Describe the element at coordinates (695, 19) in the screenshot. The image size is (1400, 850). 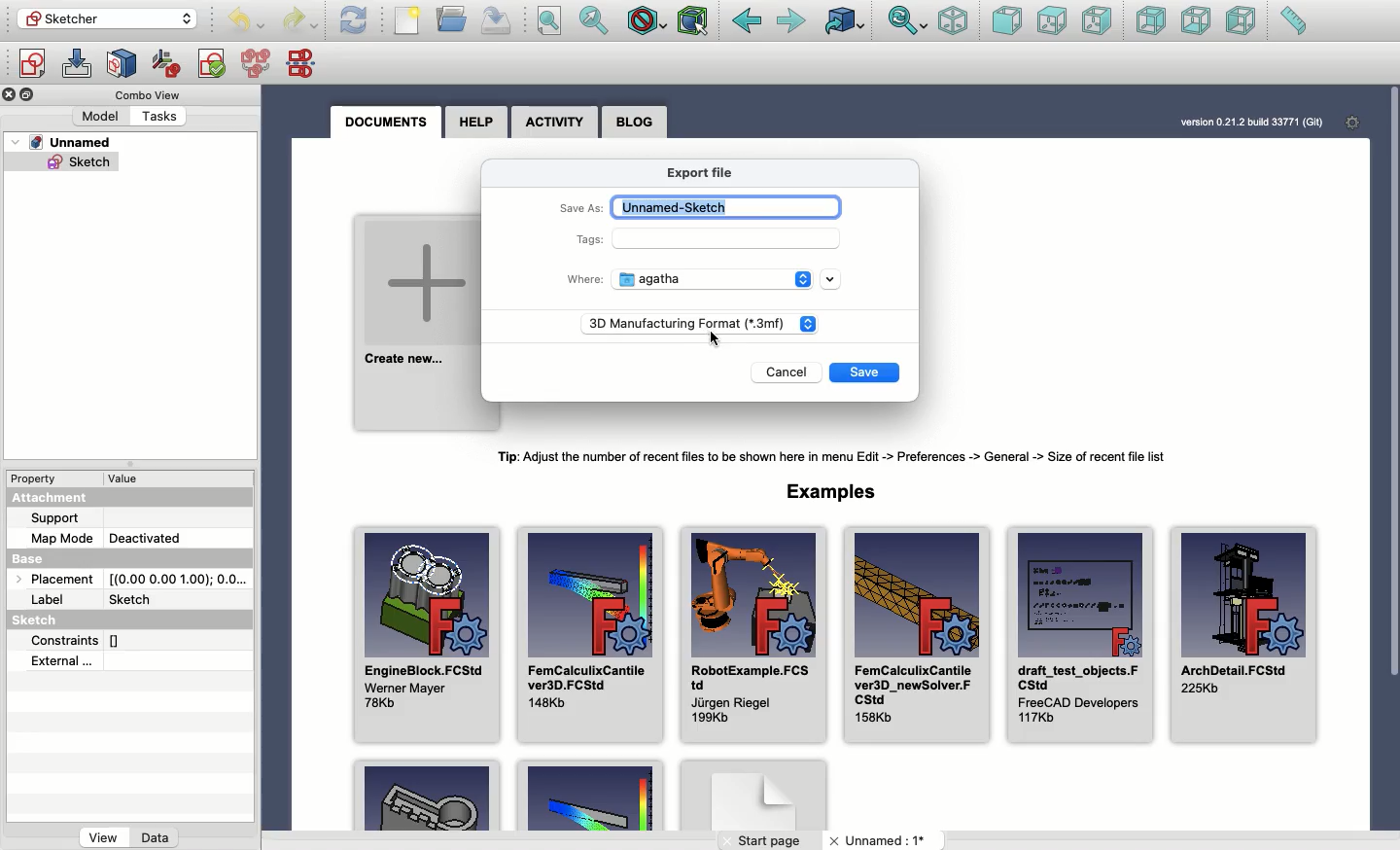
I see `Bounding box` at that location.